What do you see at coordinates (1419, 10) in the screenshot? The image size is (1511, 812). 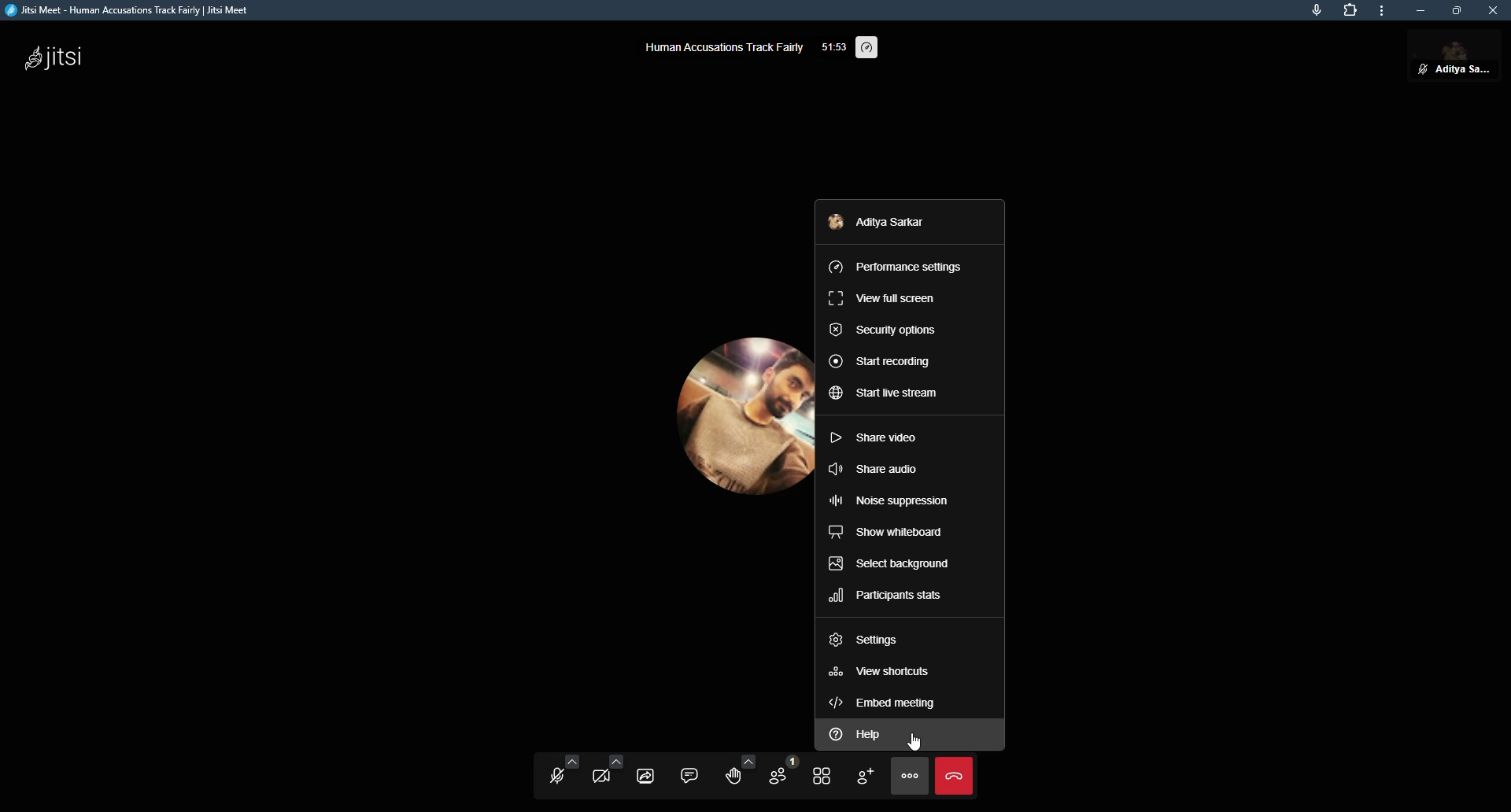 I see `minimize` at bounding box center [1419, 10].